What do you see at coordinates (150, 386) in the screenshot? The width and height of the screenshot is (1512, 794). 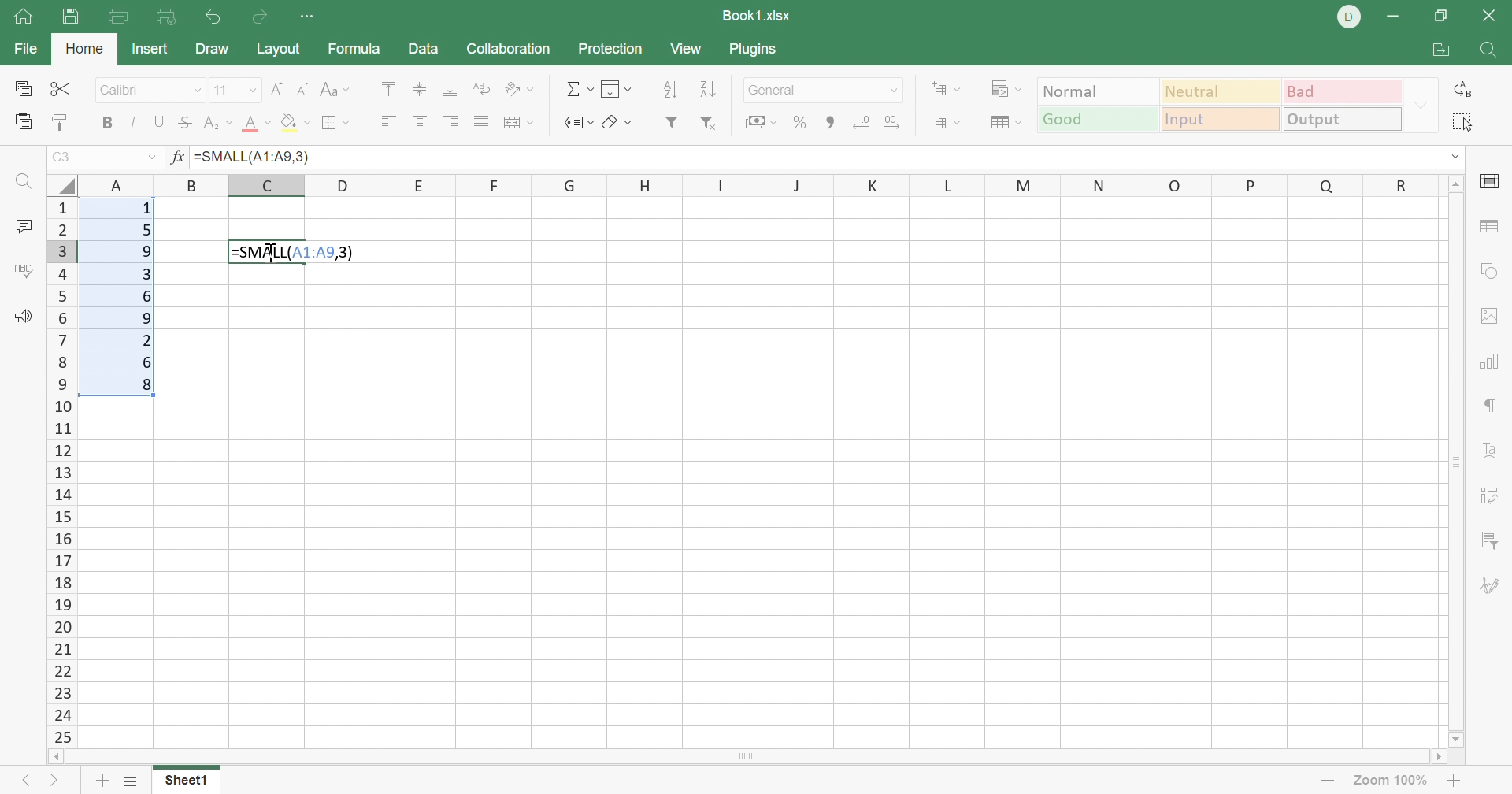 I see `8` at bounding box center [150, 386].